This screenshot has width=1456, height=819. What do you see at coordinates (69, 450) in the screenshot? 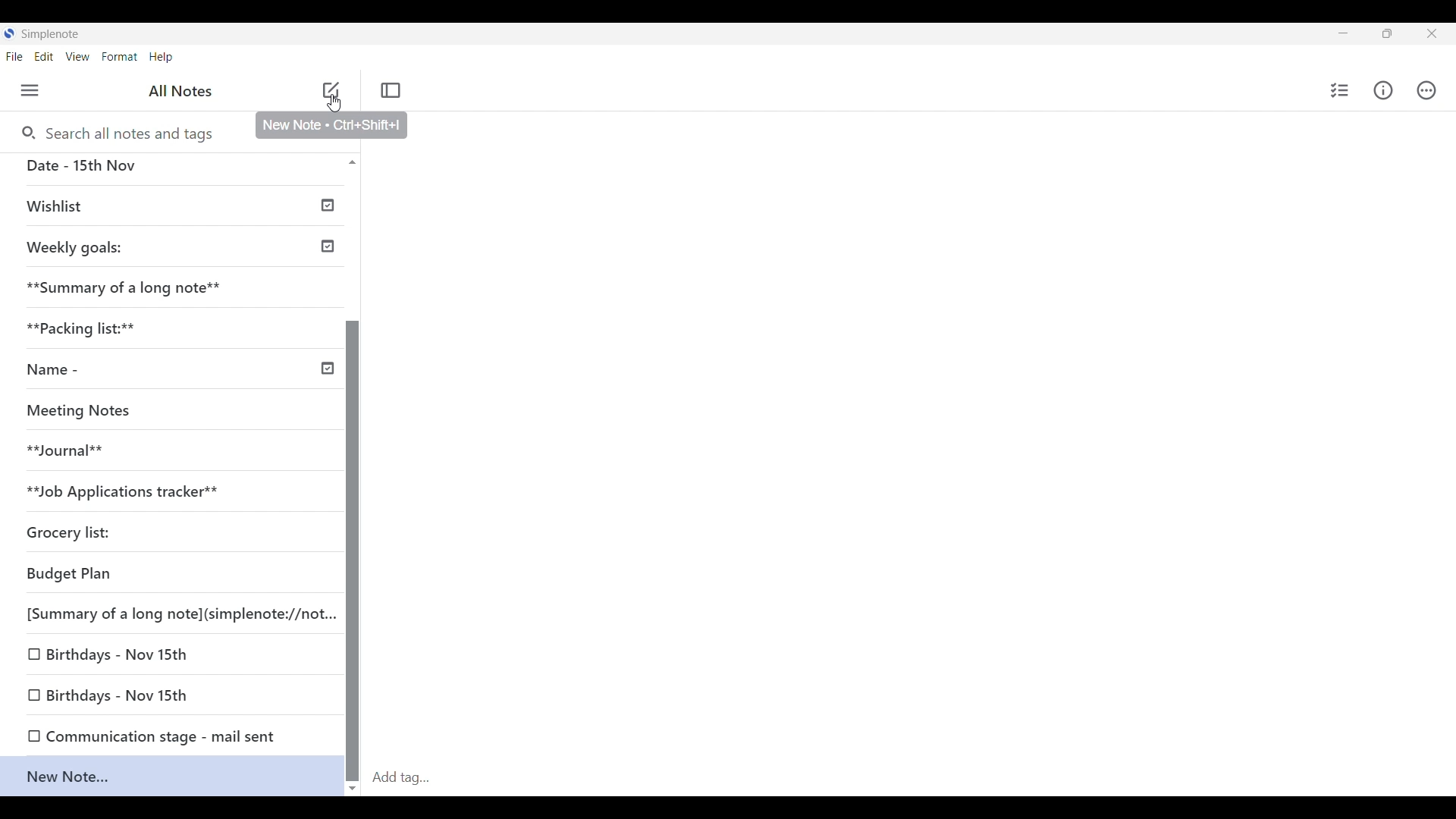
I see `**Journal**` at bounding box center [69, 450].